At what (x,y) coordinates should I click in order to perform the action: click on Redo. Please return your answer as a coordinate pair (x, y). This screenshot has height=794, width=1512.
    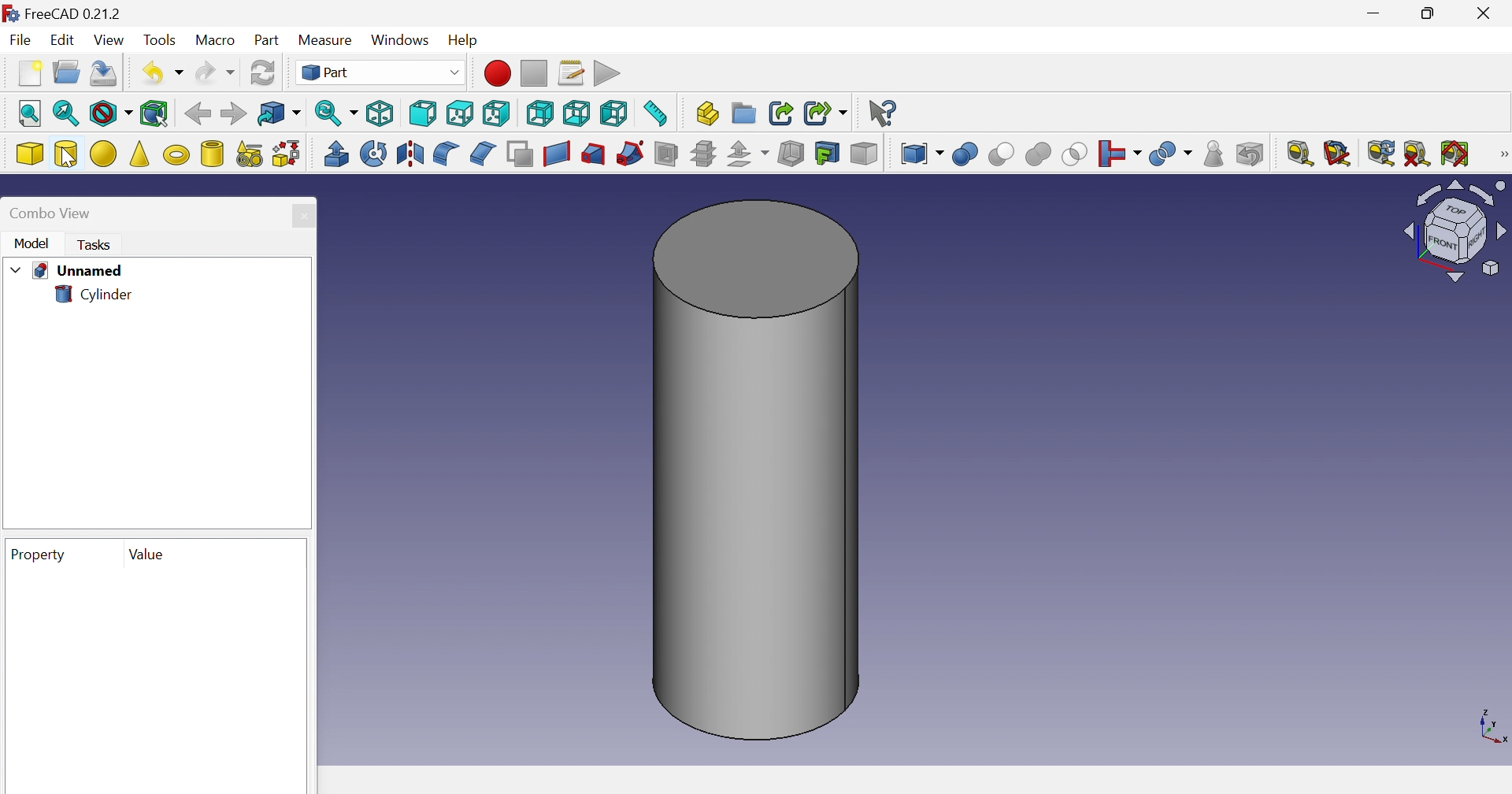
    Looking at the image, I should click on (216, 74).